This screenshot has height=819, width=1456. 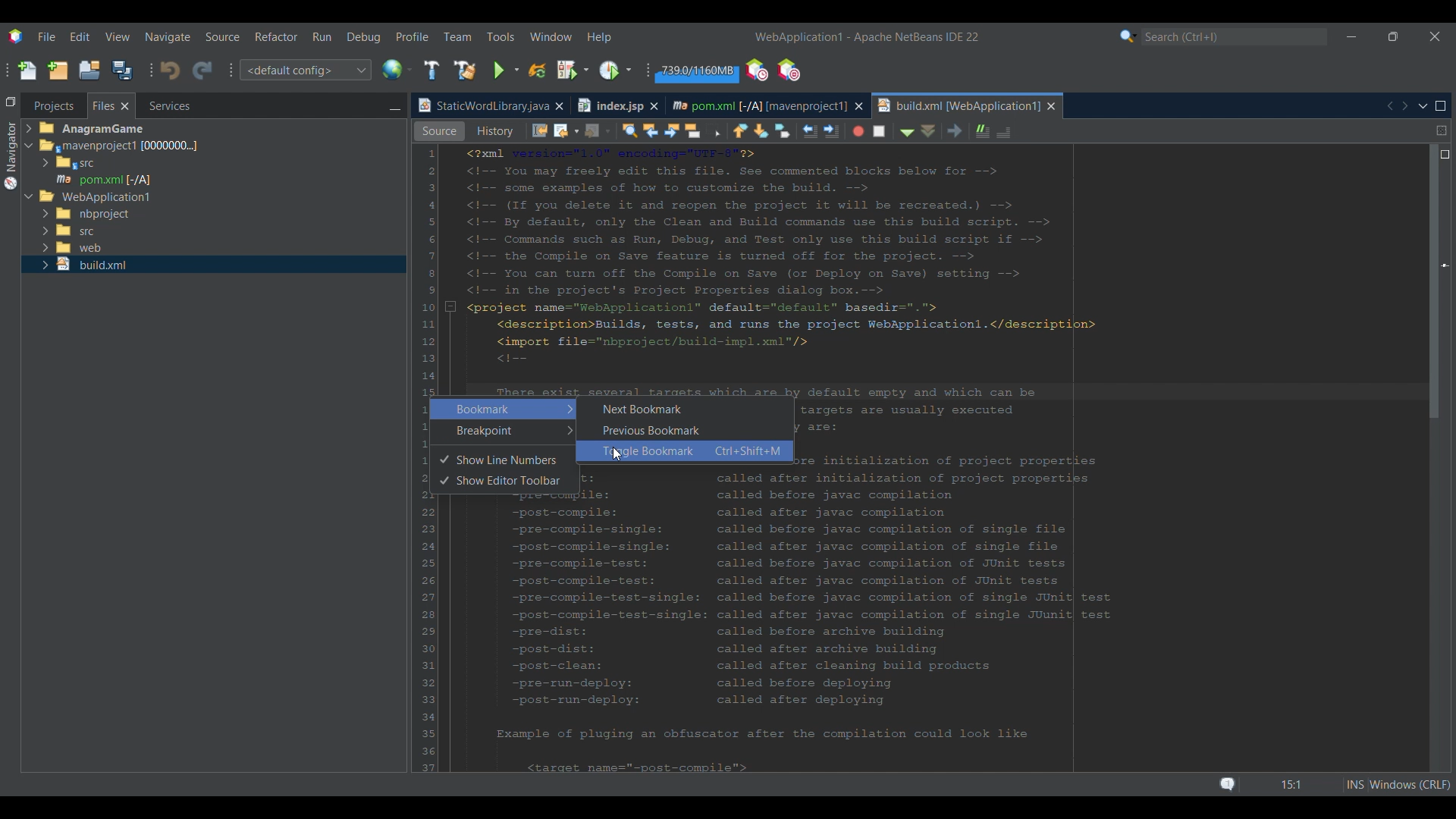 What do you see at coordinates (859, 106) in the screenshot?
I see `Close tab` at bounding box center [859, 106].